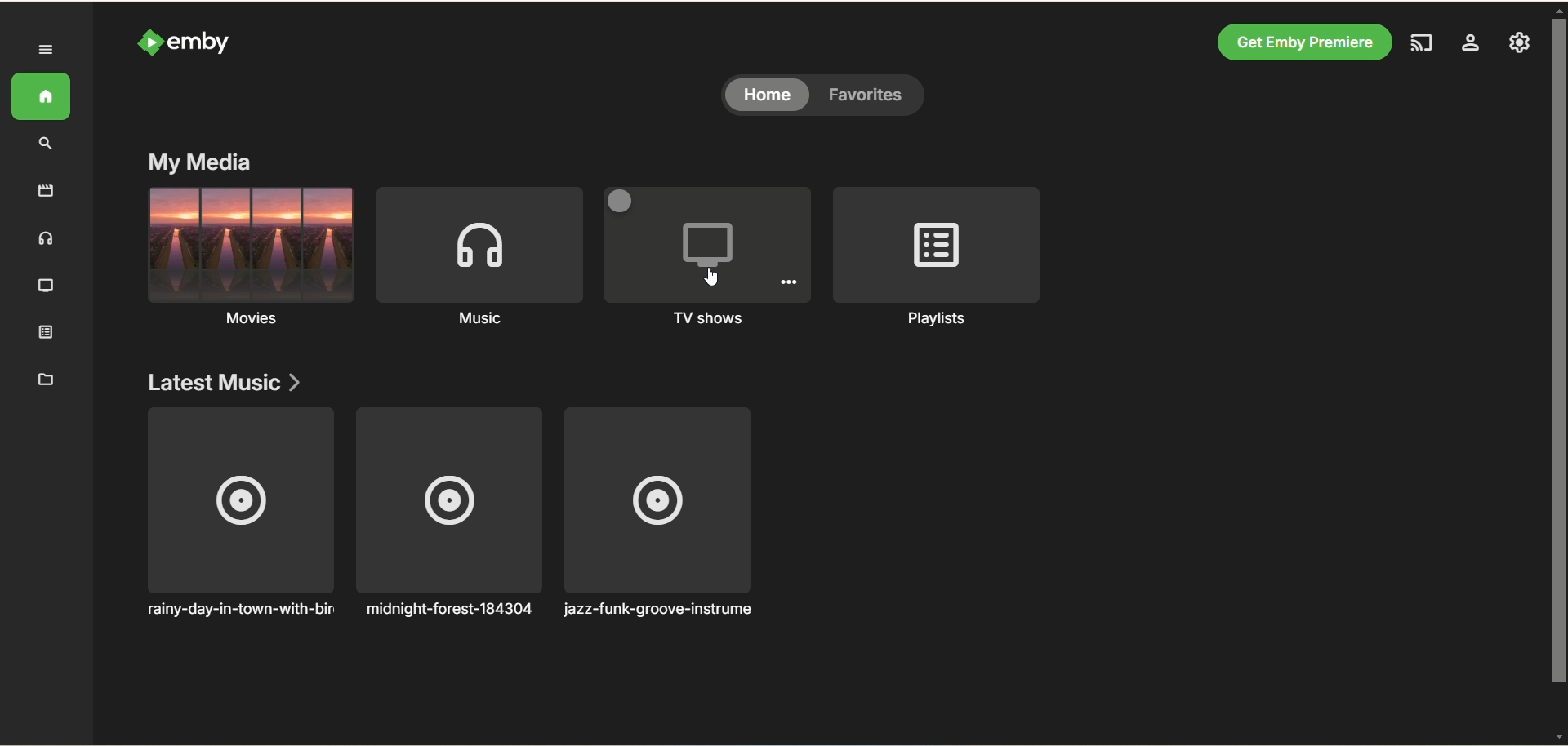  What do you see at coordinates (48, 240) in the screenshot?
I see `music` at bounding box center [48, 240].